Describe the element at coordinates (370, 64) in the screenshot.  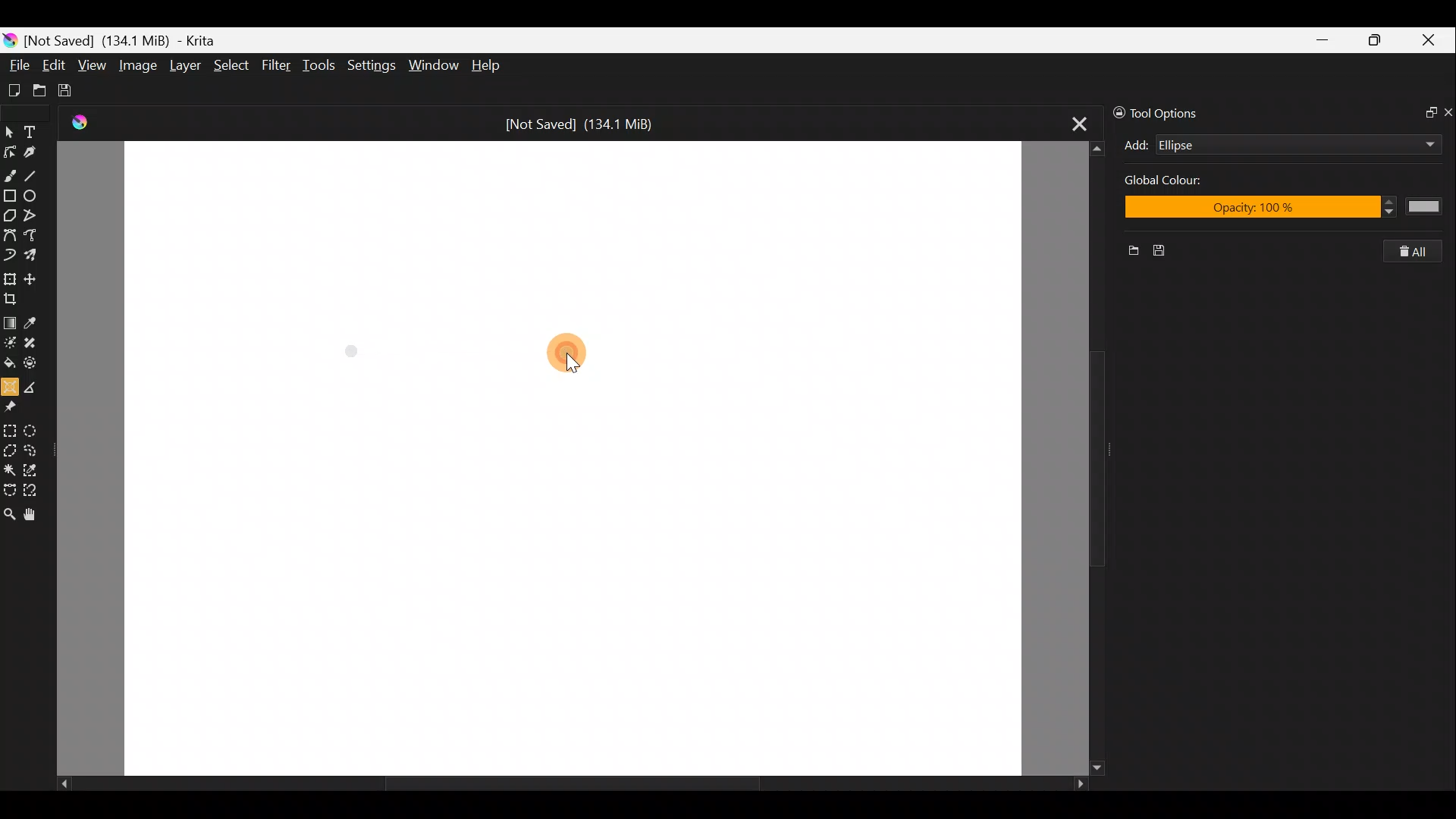
I see `Settings` at that location.